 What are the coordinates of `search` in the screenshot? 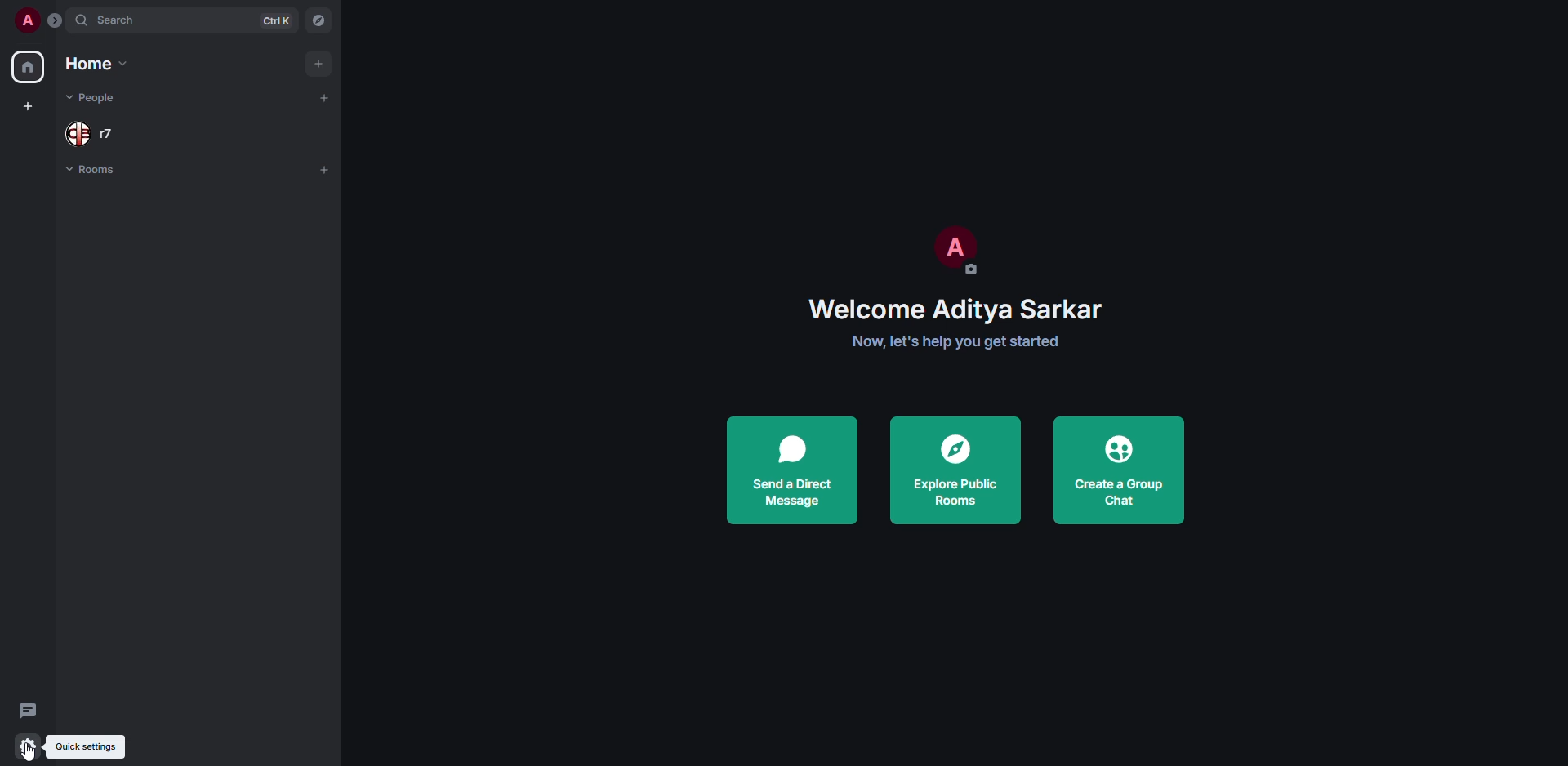 It's located at (120, 21).